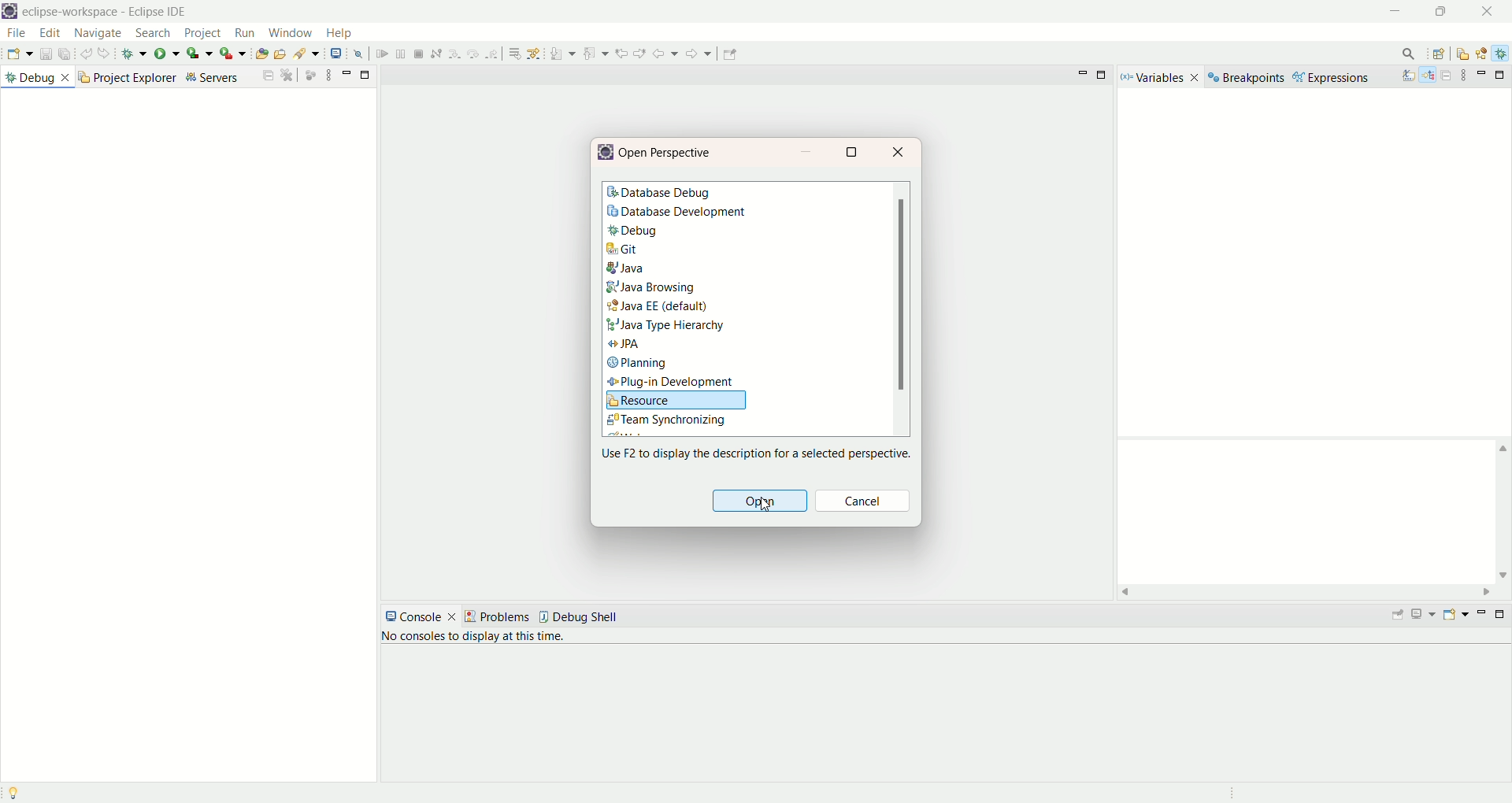 This screenshot has height=803, width=1512. Describe the element at coordinates (472, 55) in the screenshot. I see `skip all breakpoints` at that location.